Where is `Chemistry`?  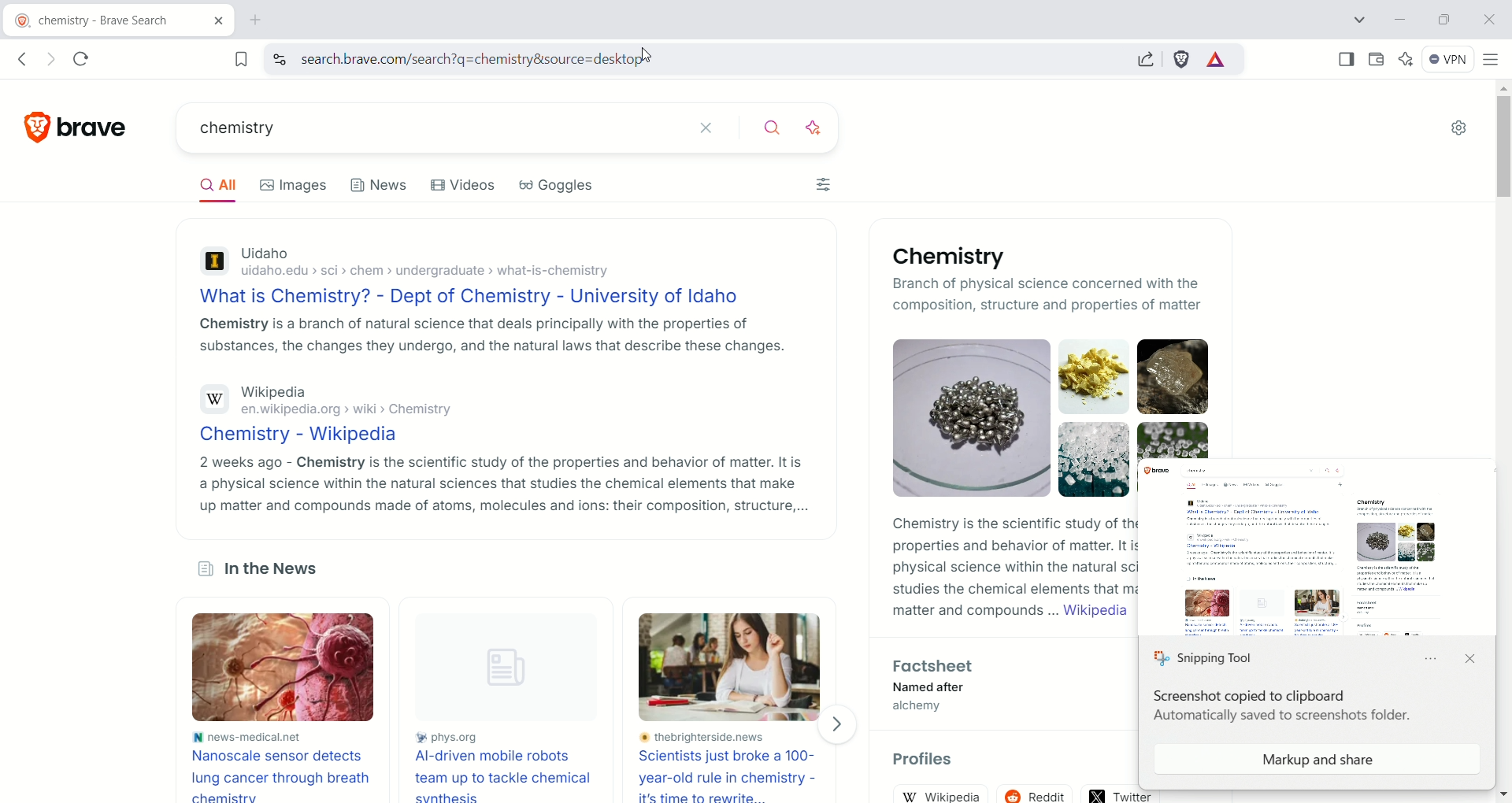 Chemistry is located at coordinates (943, 257).